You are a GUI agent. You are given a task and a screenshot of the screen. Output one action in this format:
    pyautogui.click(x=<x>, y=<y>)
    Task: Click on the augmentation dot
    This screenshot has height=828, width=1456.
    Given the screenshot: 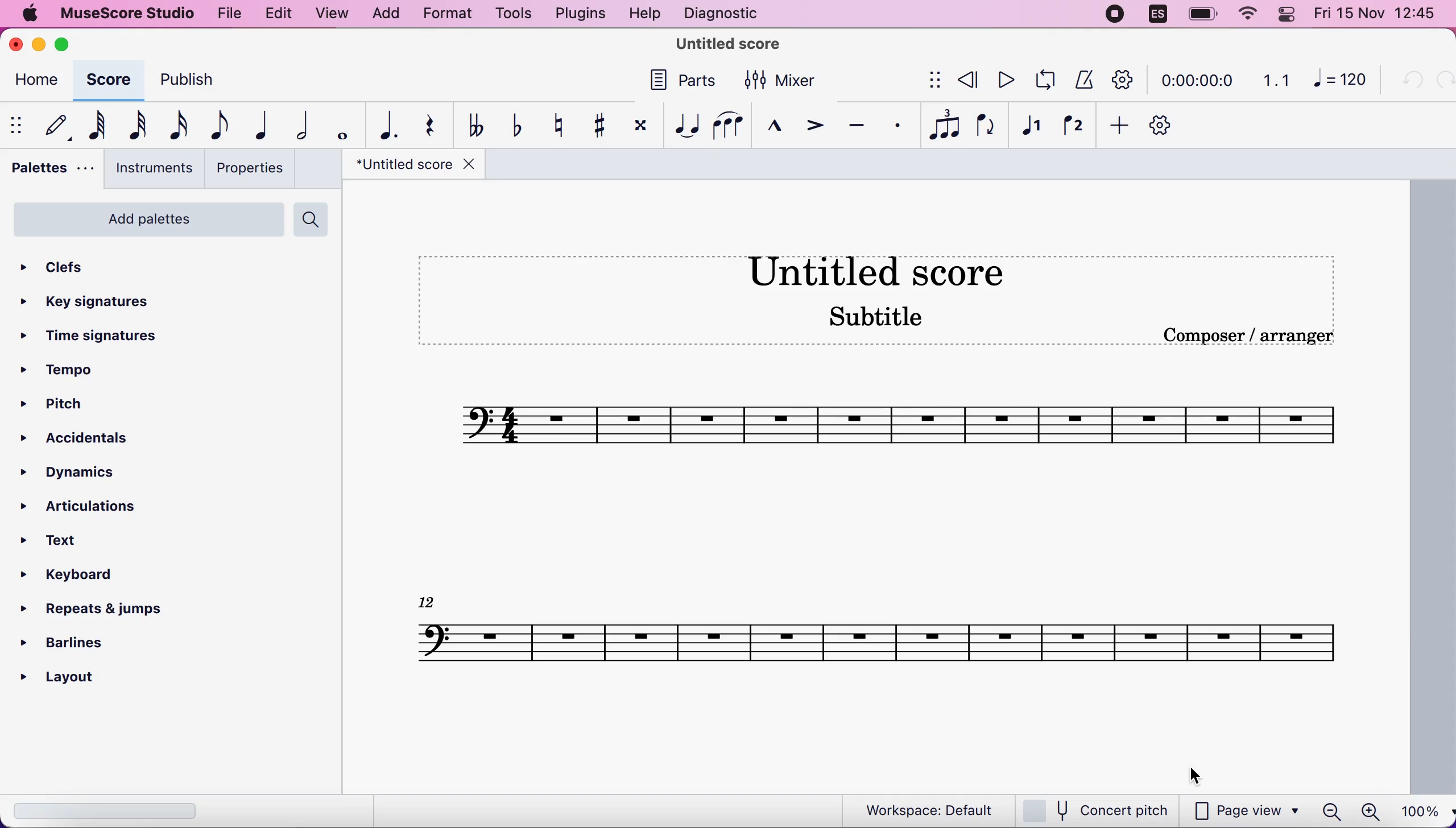 What is the action you would take?
    pyautogui.click(x=384, y=124)
    